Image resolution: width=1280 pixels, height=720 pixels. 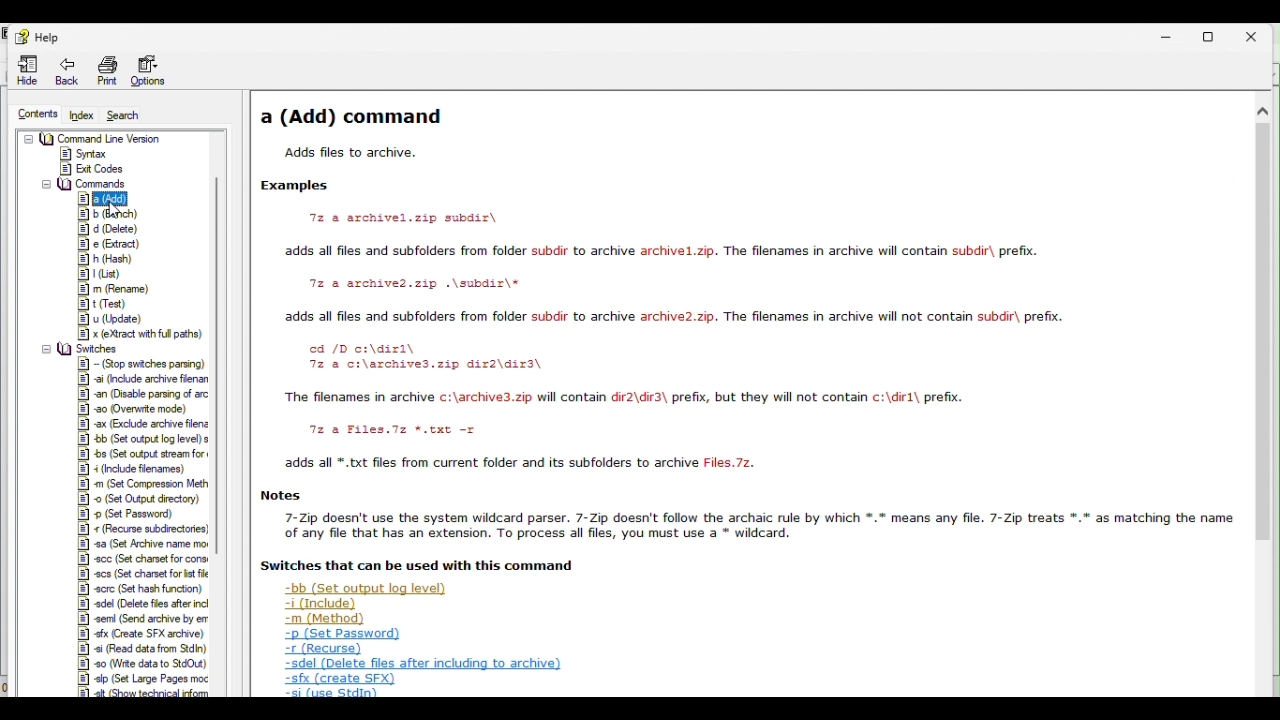 What do you see at coordinates (144, 618) in the screenshot?
I see `-seml` at bounding box center [144, 618].